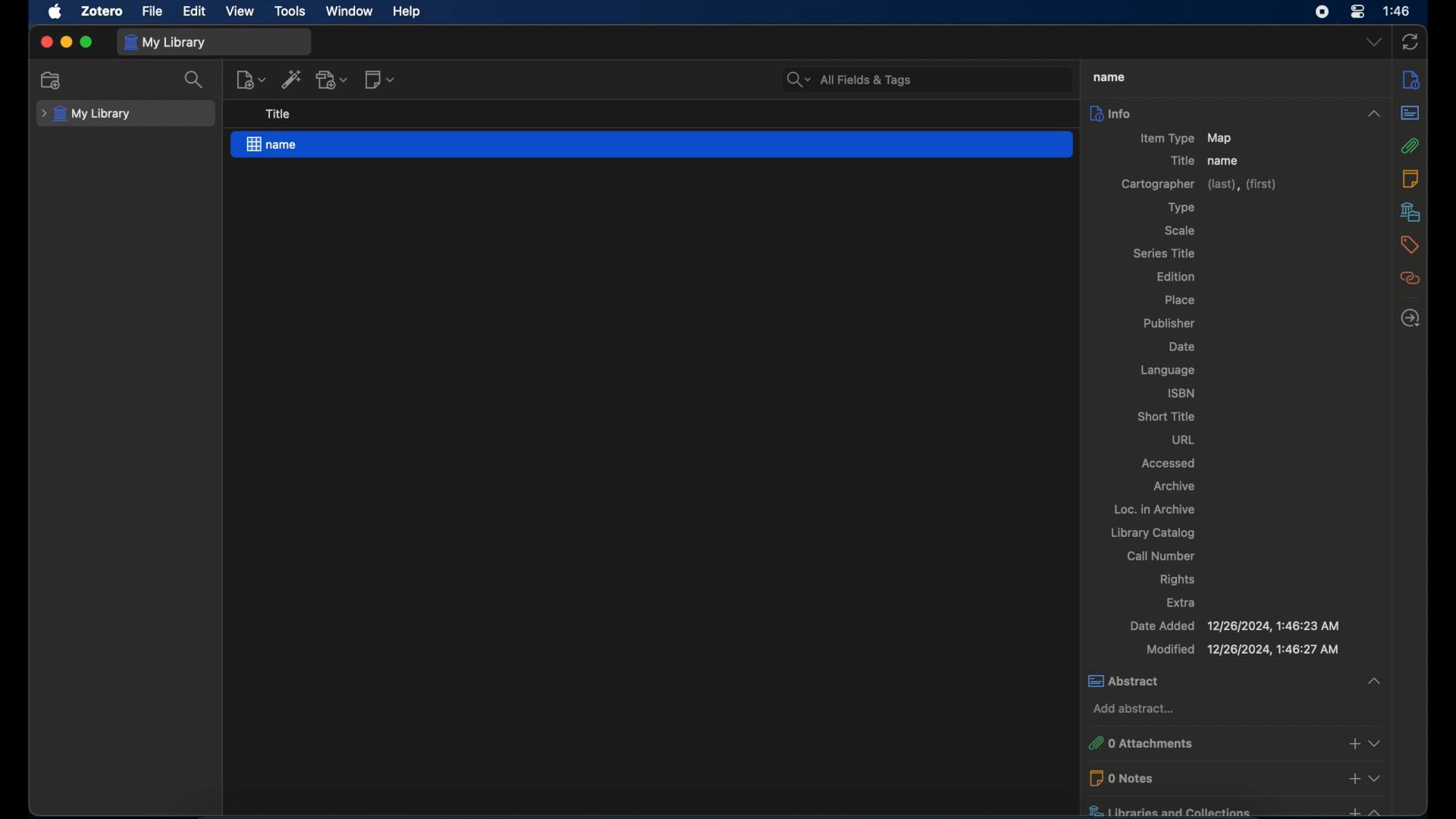 The image size is (1456, 819). I want to click on title, so click(279, 114).